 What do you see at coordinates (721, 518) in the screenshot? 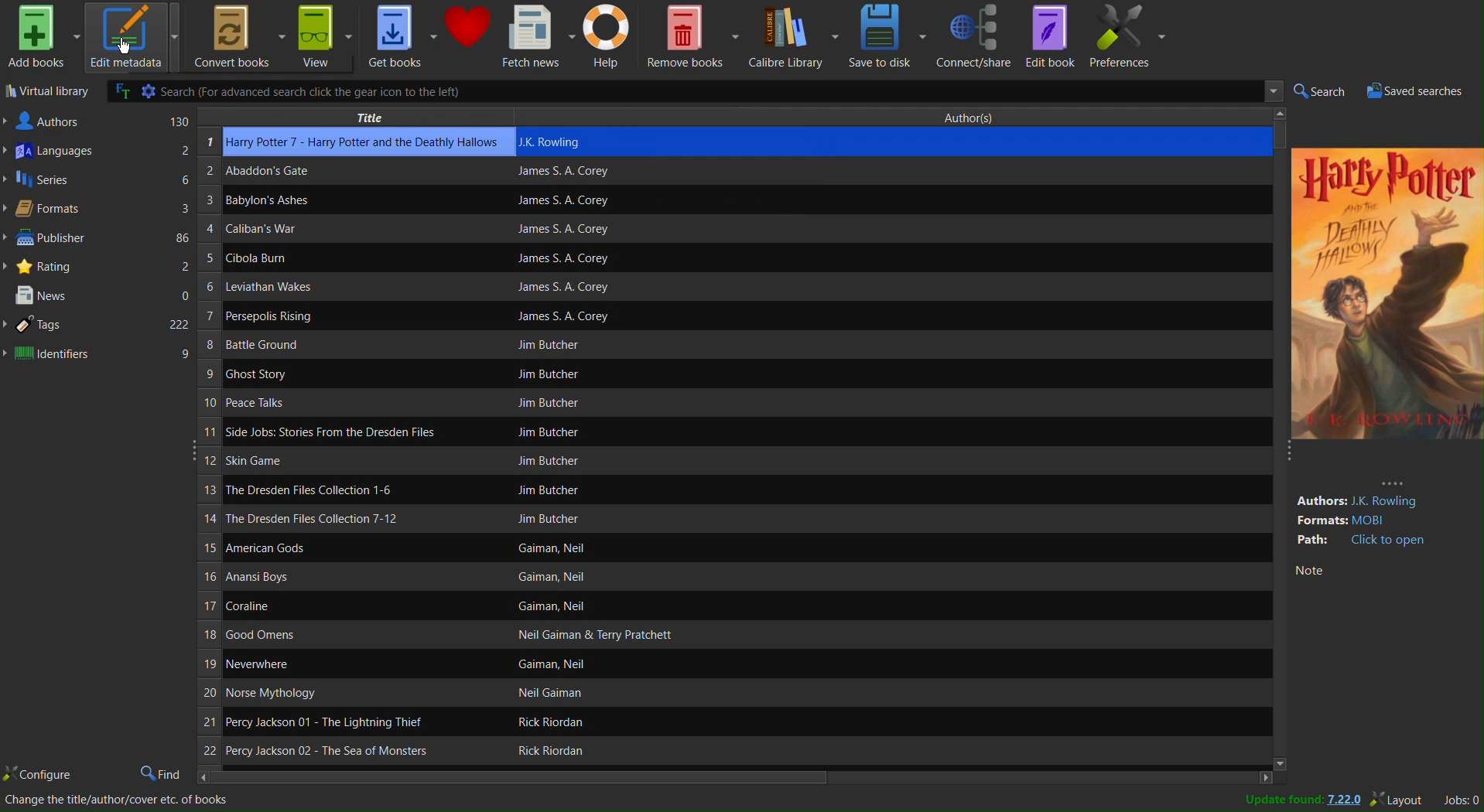
I see `Author’s name` at bounding box center [721, 518].